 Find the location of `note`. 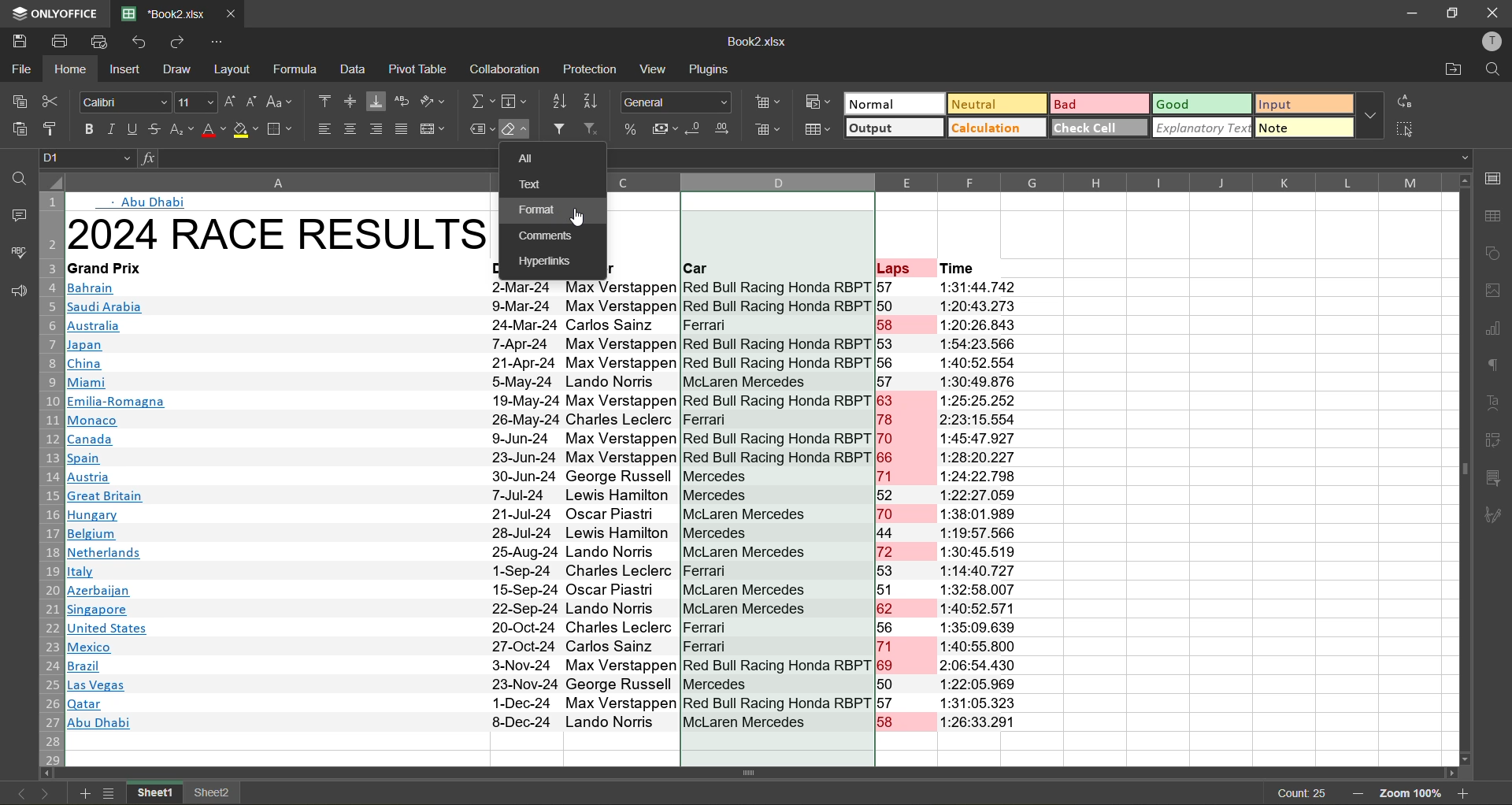

note is located at coordinates (1304, 128).